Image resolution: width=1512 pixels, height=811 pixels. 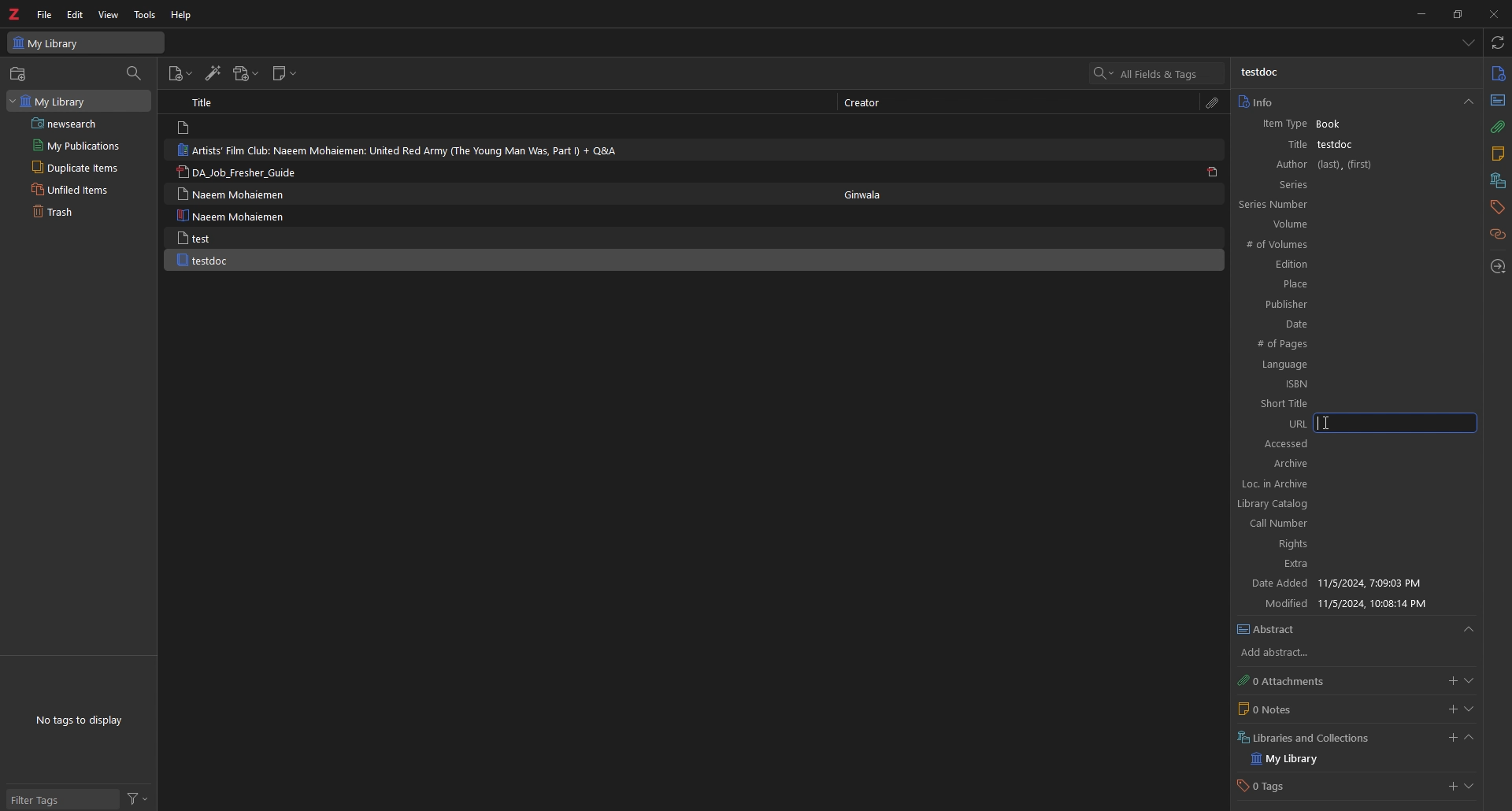 What do you see at coordinates (209, 102) in the screenshot?
I see `Title` at bounding box center [209, 102].